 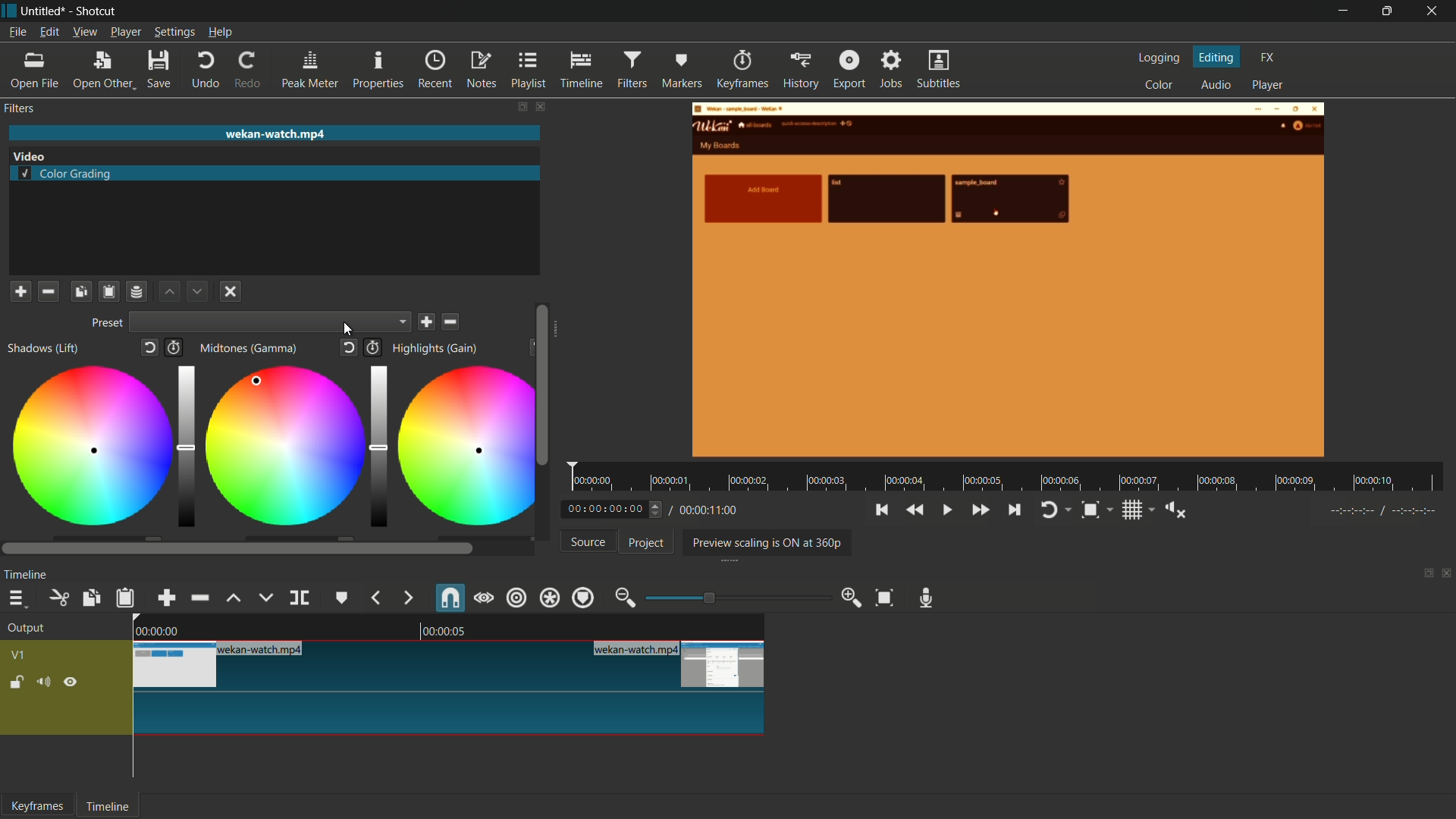 I want to click on logging, so click(x=1157, y=58).